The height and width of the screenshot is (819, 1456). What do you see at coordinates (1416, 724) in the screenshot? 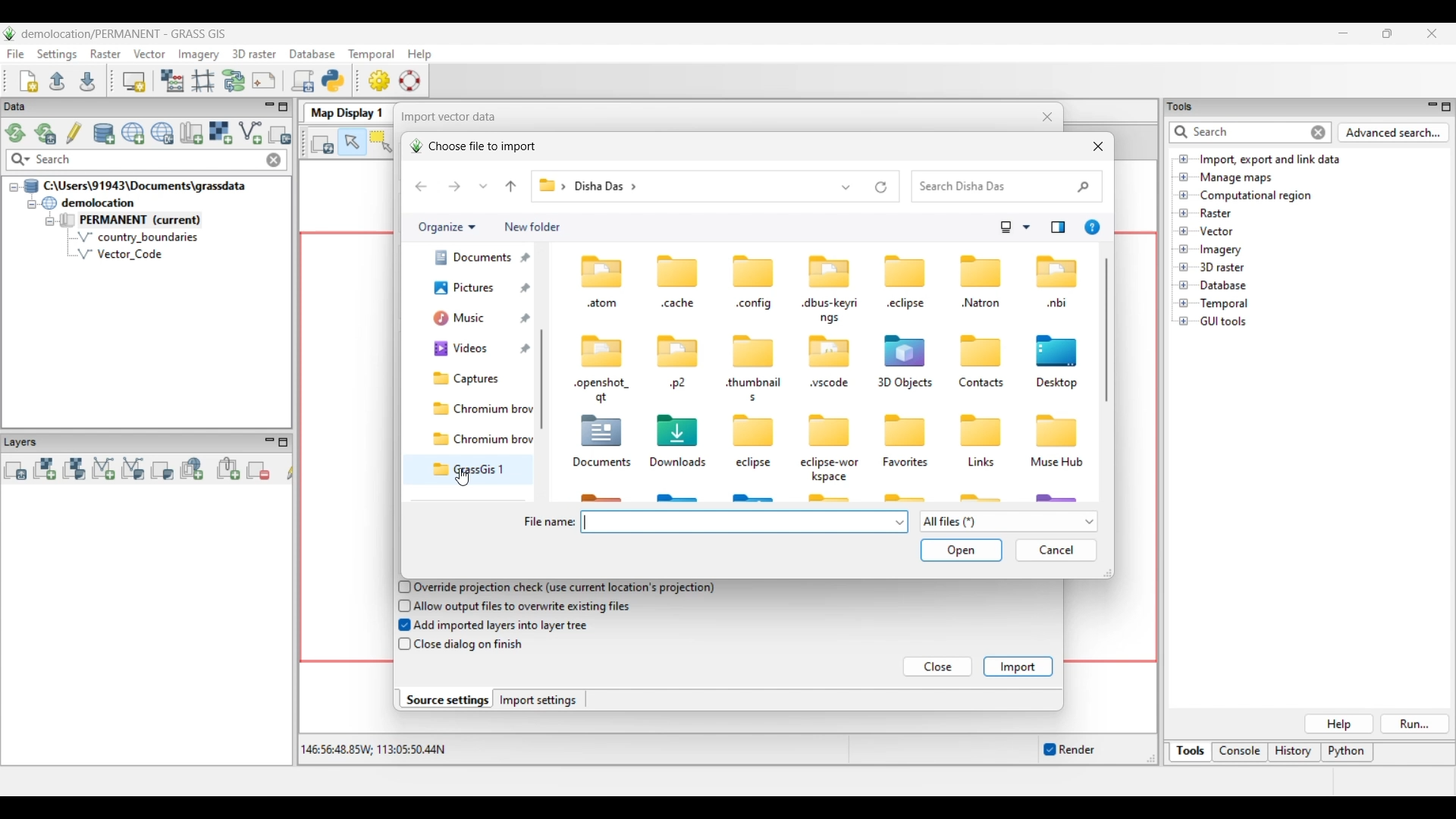
I see `Run` at bounding box center [1416, 724].